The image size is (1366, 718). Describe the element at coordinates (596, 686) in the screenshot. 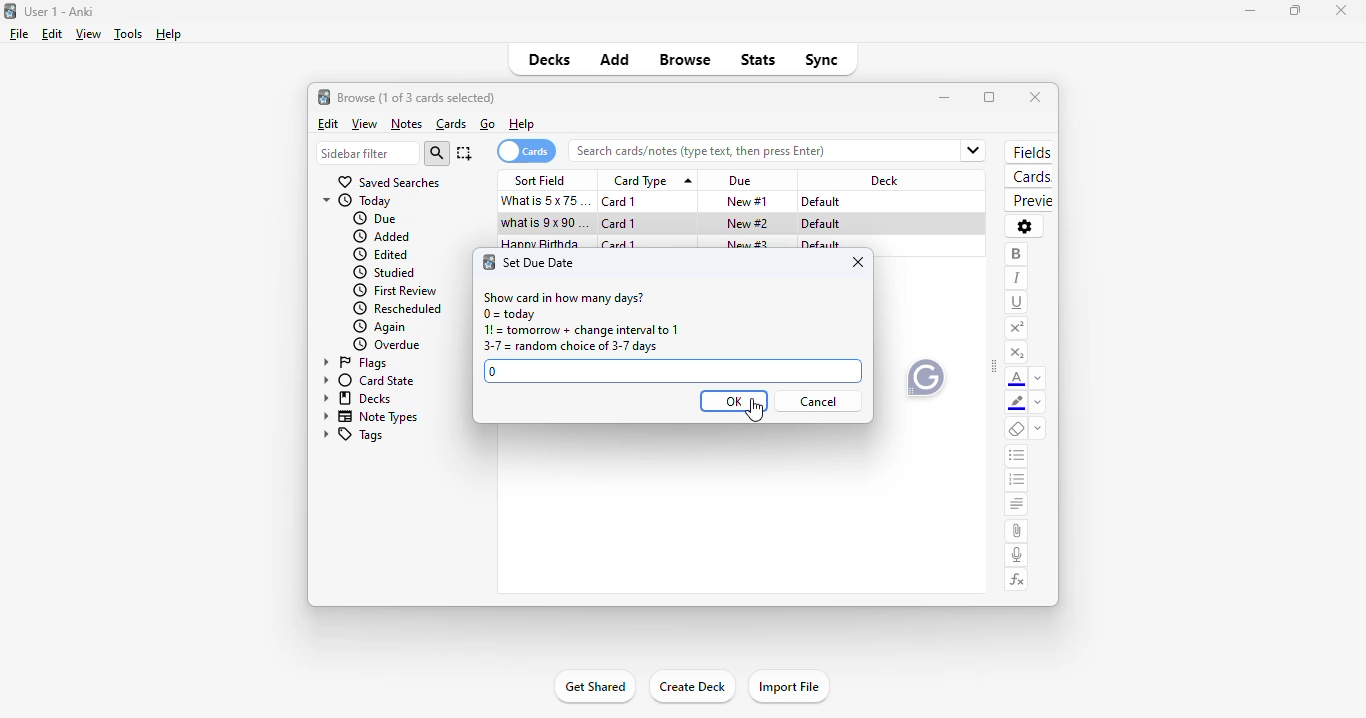

I see `get shared` at that location.